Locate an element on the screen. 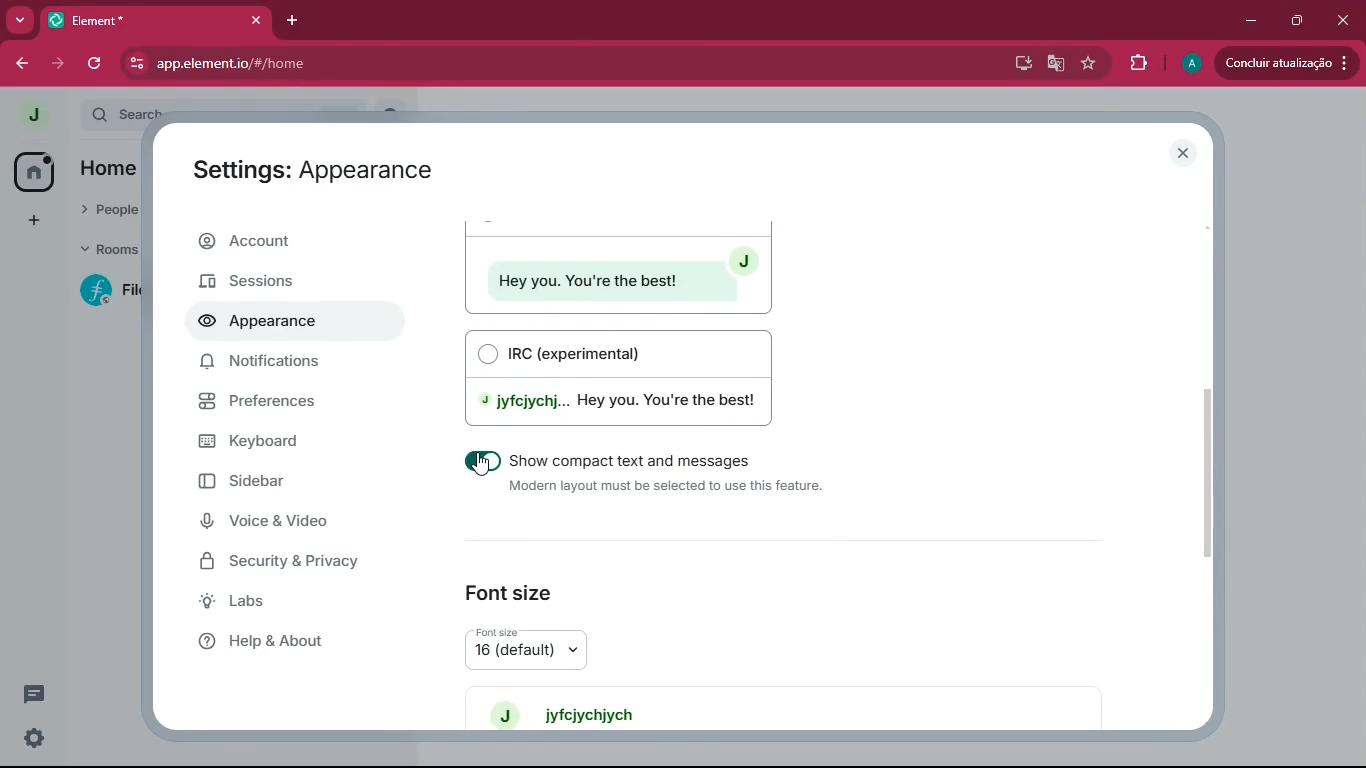 This screenshot has width=1366, height=768. extensions is located at coordinates (1138, 61).